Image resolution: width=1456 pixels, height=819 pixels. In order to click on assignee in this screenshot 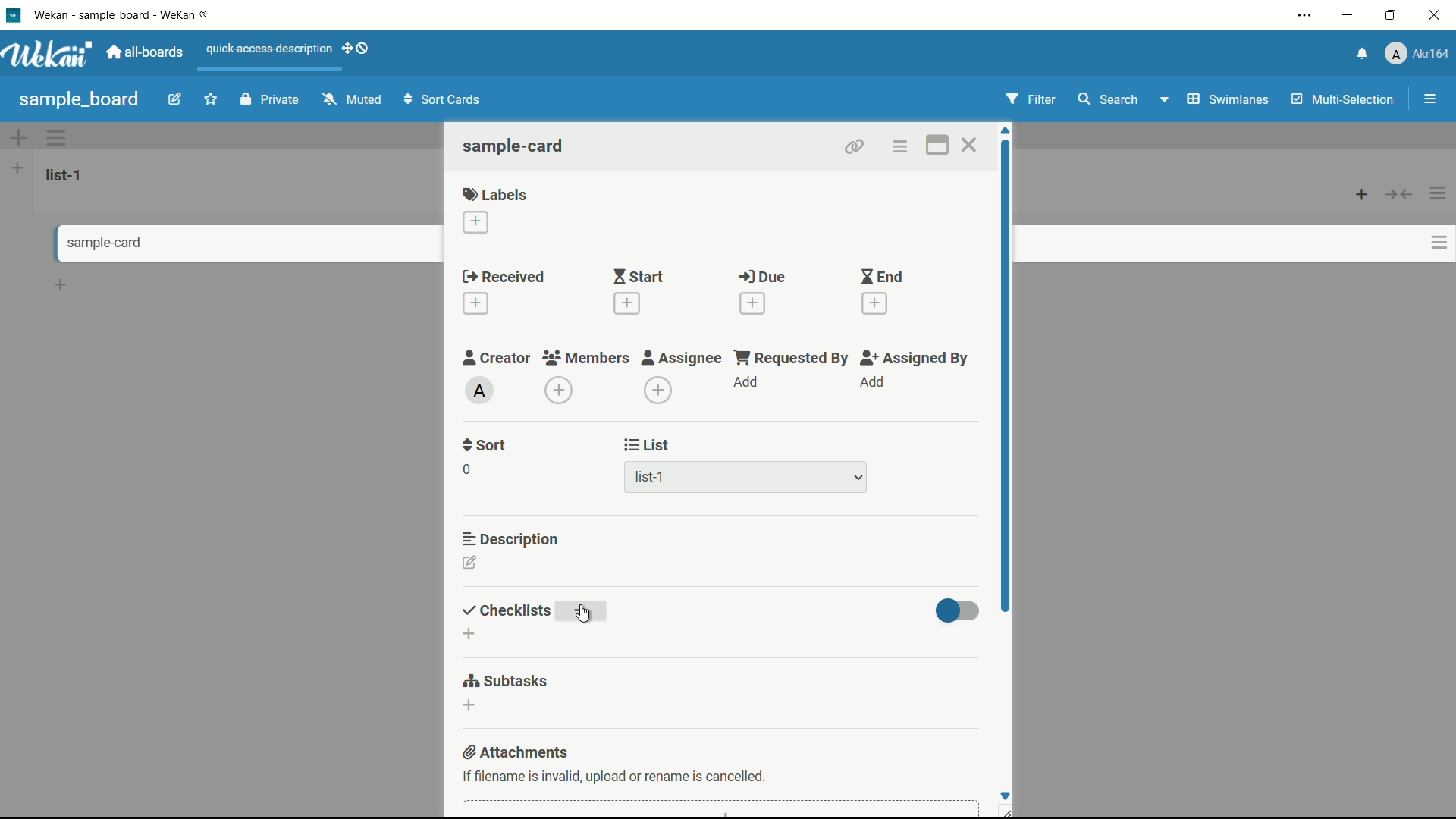, I will do `click(682, 358)`.